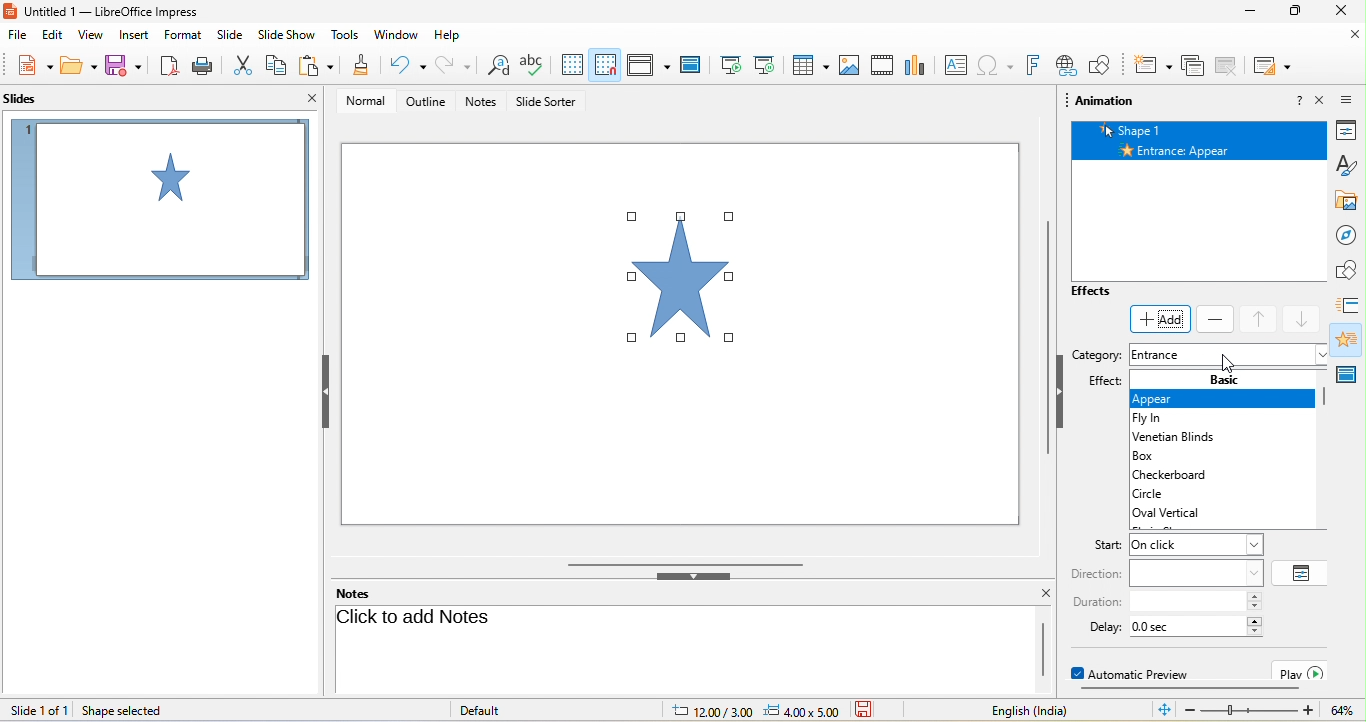 The image size is (1366, 722). Describe the element at coordinates (1097, 357) in the screenshot. I see `category` at that location.